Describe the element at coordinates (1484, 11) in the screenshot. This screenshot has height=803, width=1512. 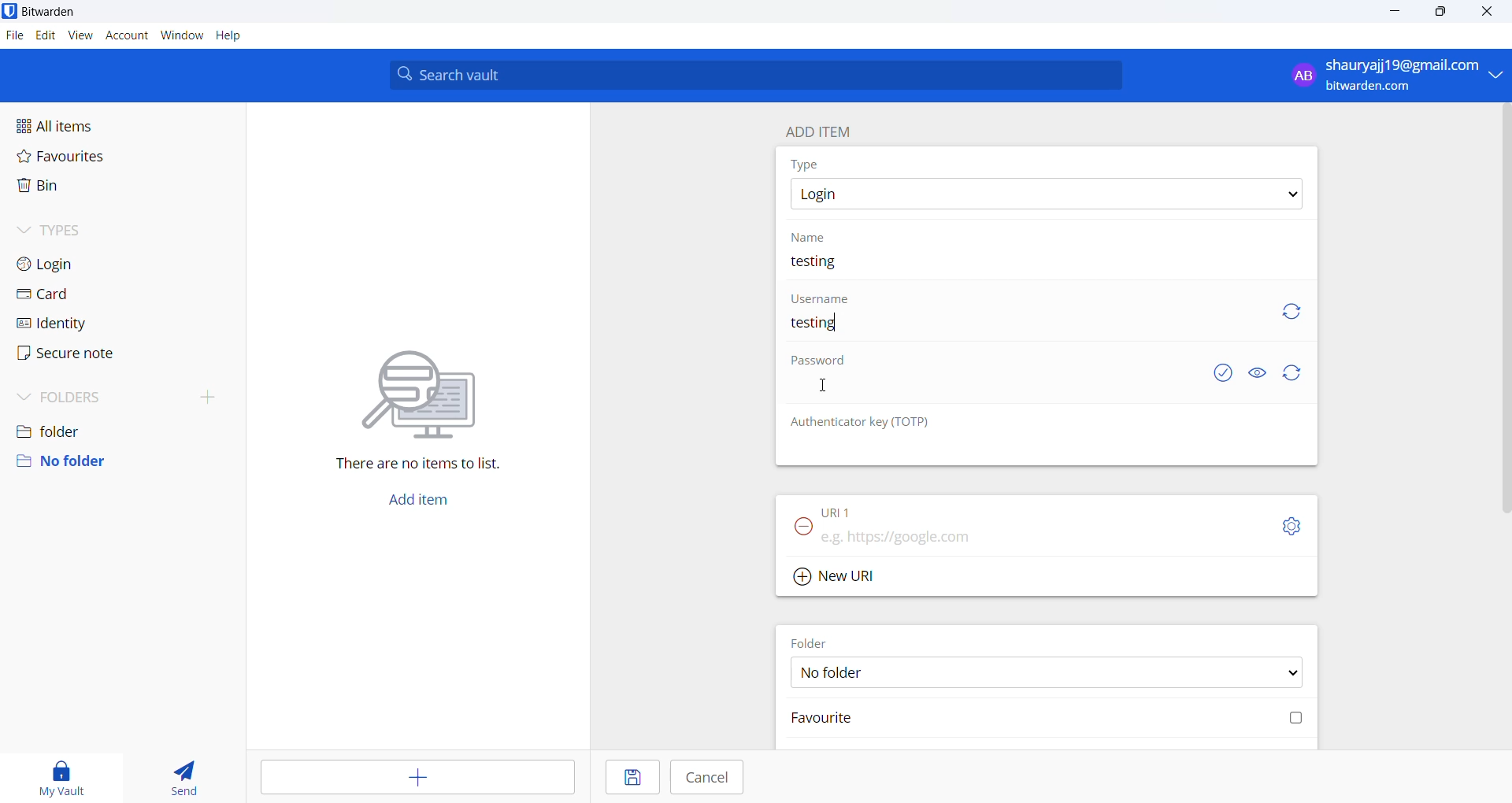
I see `close` at that location.